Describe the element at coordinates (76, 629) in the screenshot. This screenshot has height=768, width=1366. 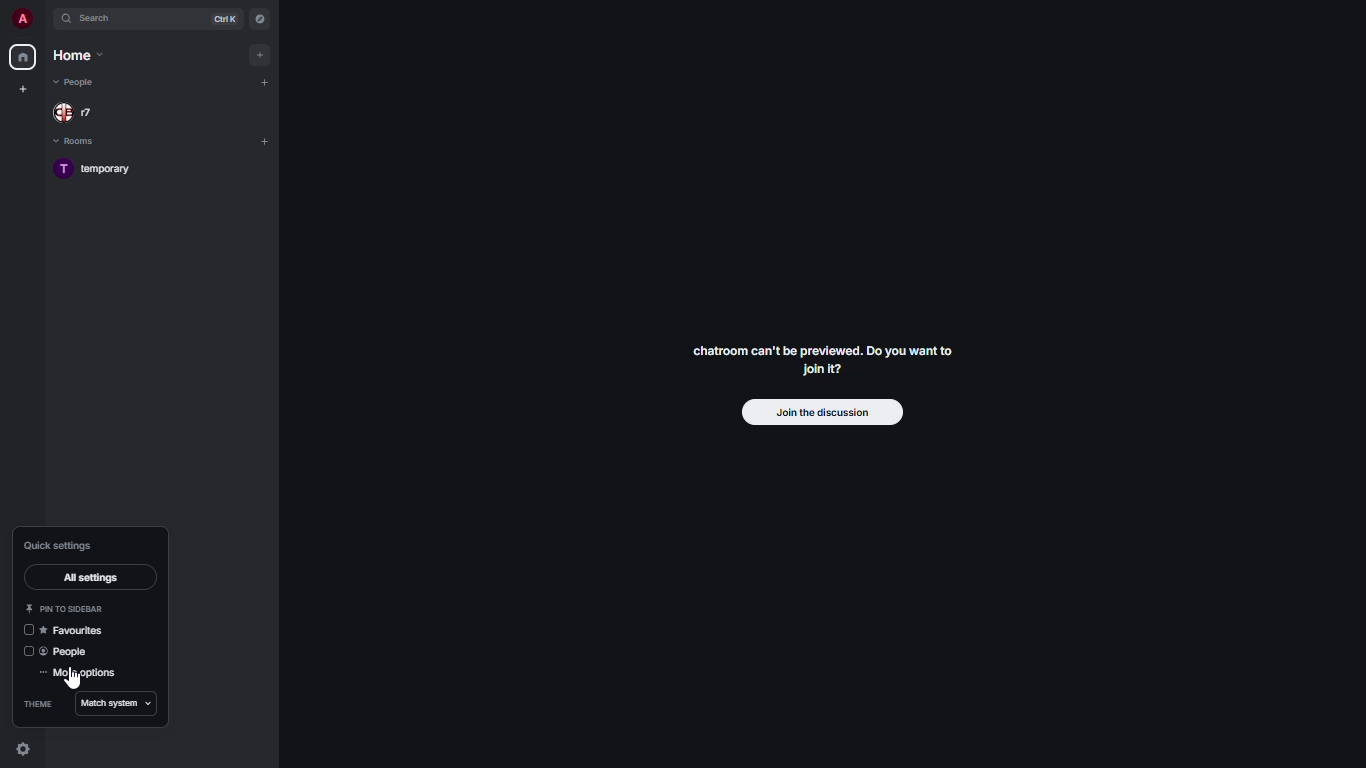
I see `favorites` at that location.